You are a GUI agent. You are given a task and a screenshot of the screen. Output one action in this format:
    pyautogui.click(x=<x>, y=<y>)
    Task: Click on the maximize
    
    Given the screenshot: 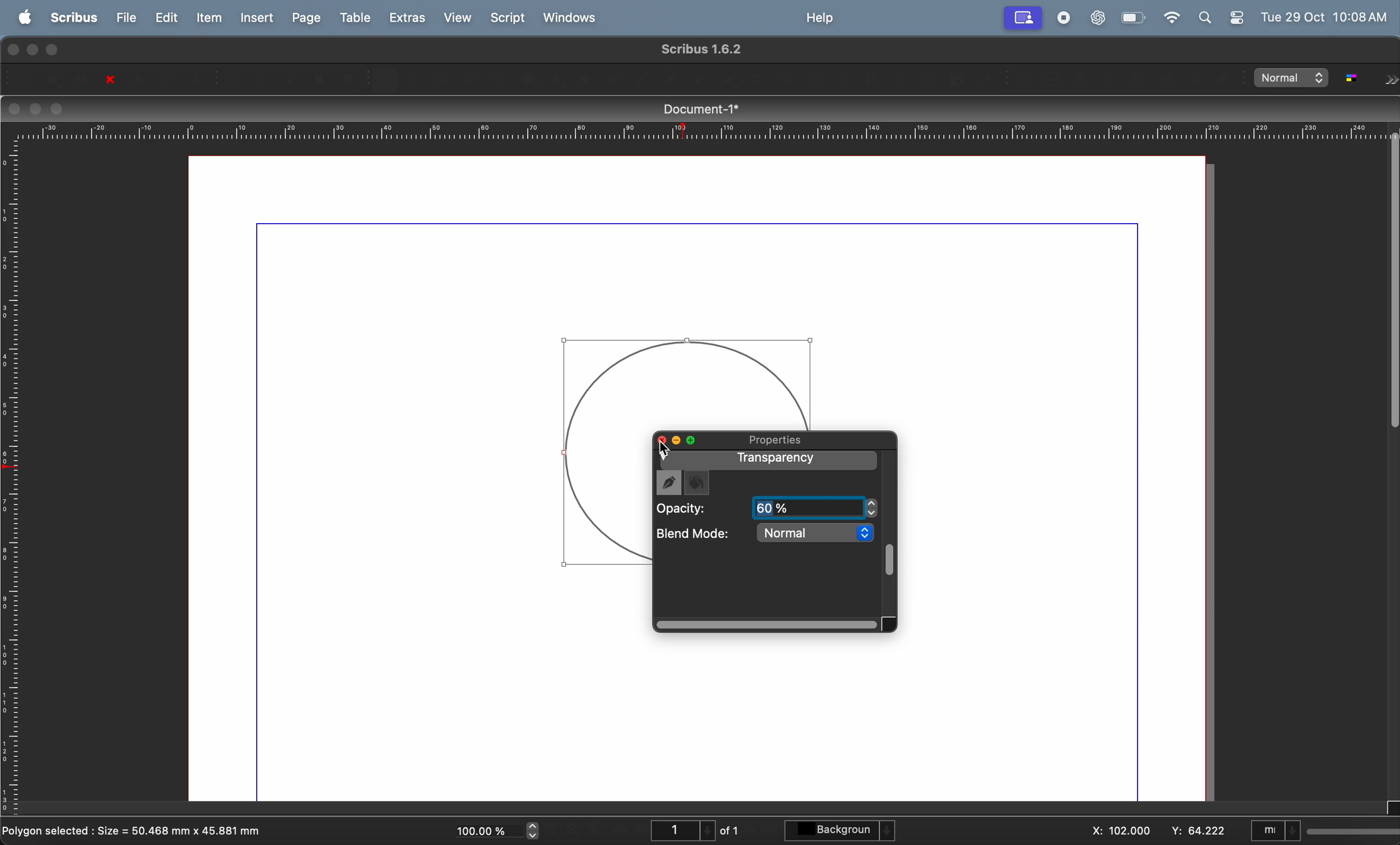 What is the action you would take?
    pyautogui.click(x=56, y=50)
    